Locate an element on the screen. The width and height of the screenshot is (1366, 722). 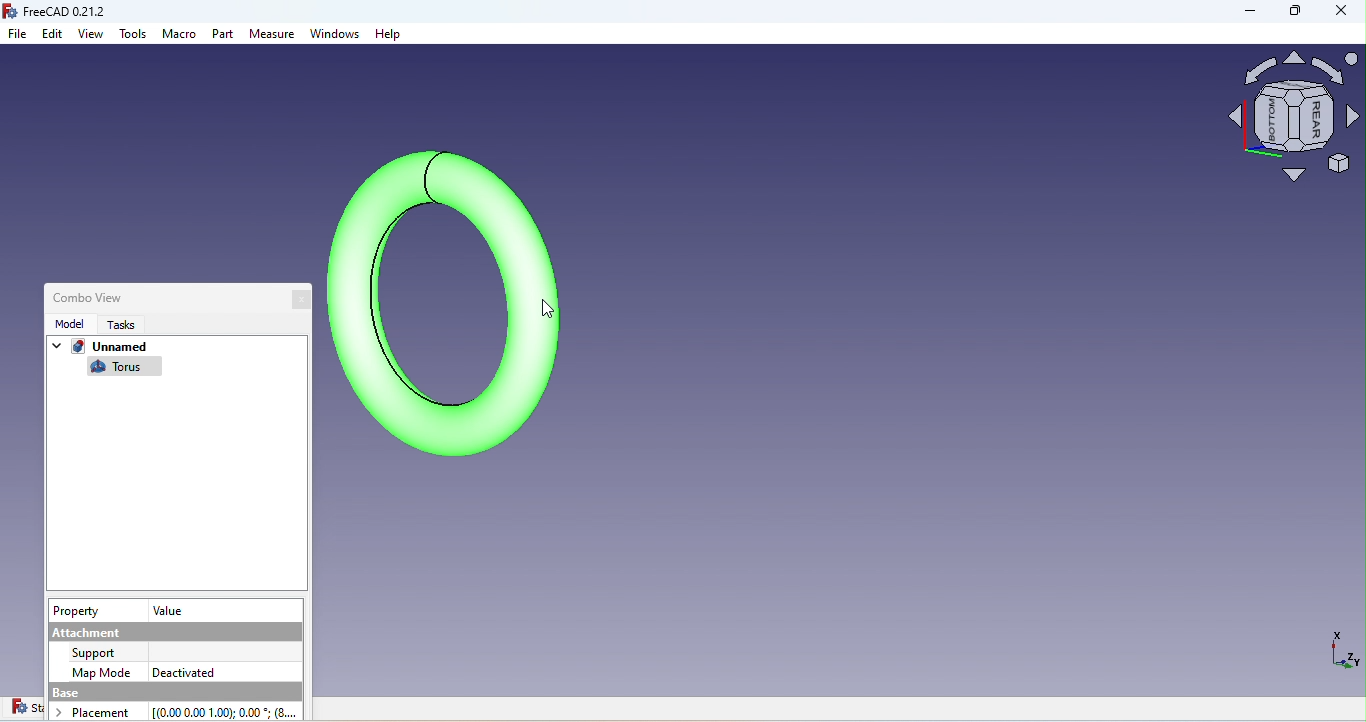
Windows is located at coordinates (336, 36).